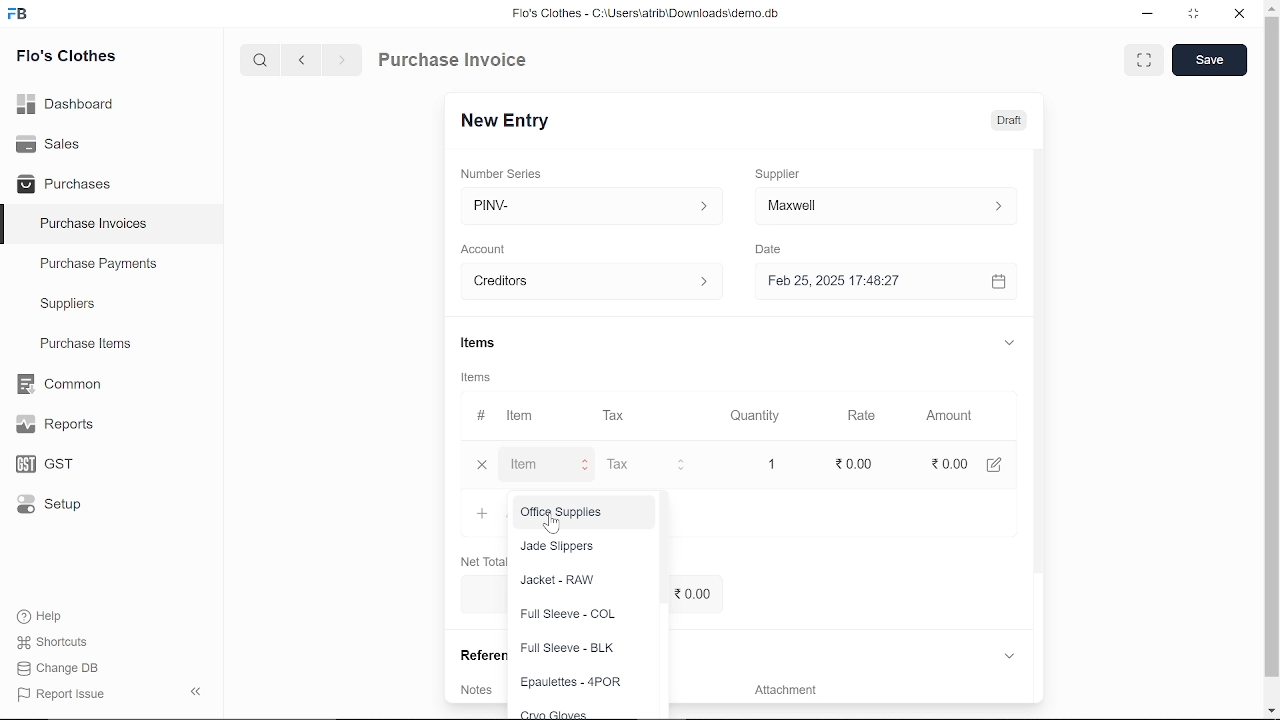  Describe the element at coordinates (593, 206) in the screenshot. I see `PINV- >` at that location.